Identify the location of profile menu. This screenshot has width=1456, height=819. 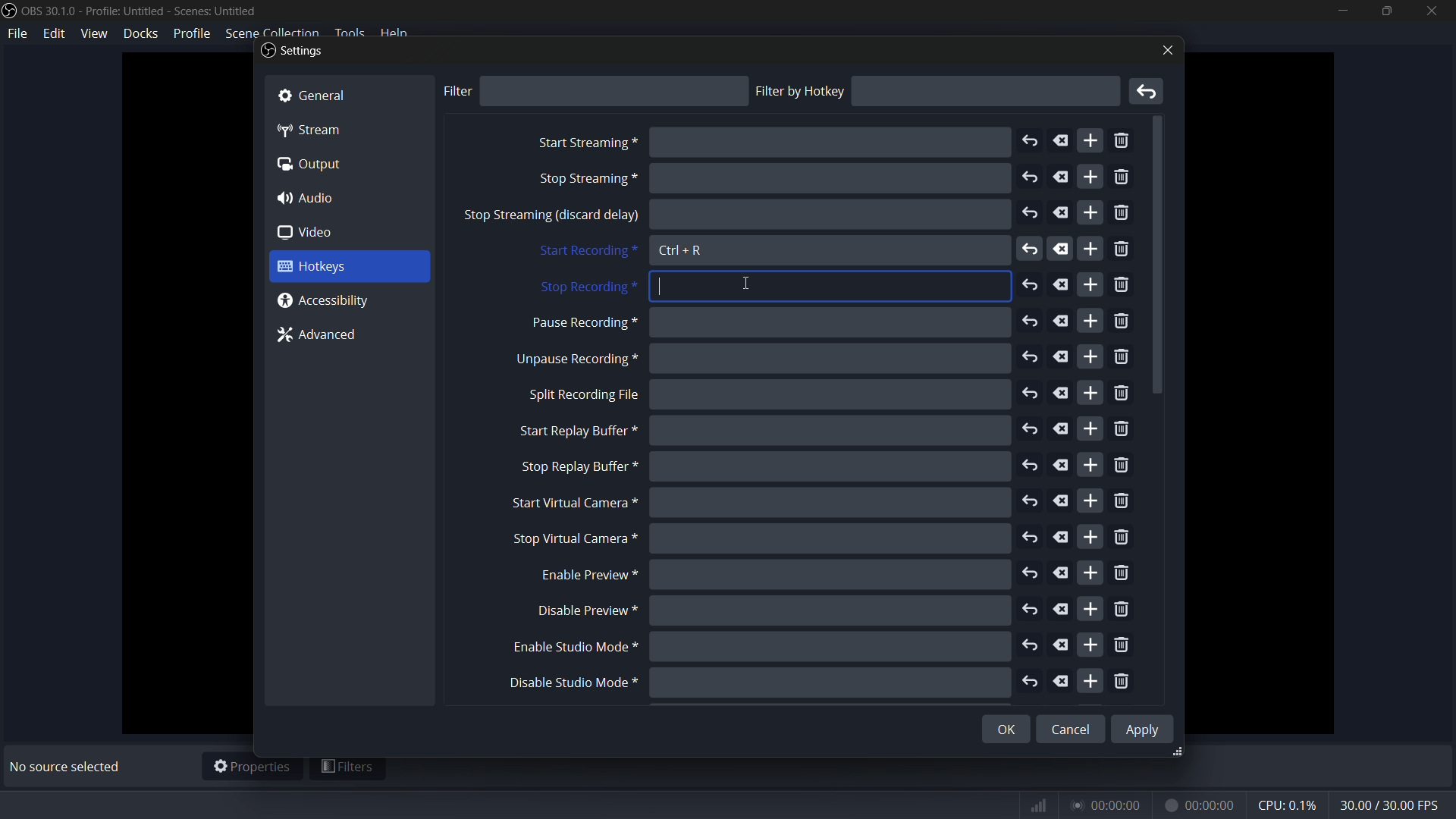
(191, 33).